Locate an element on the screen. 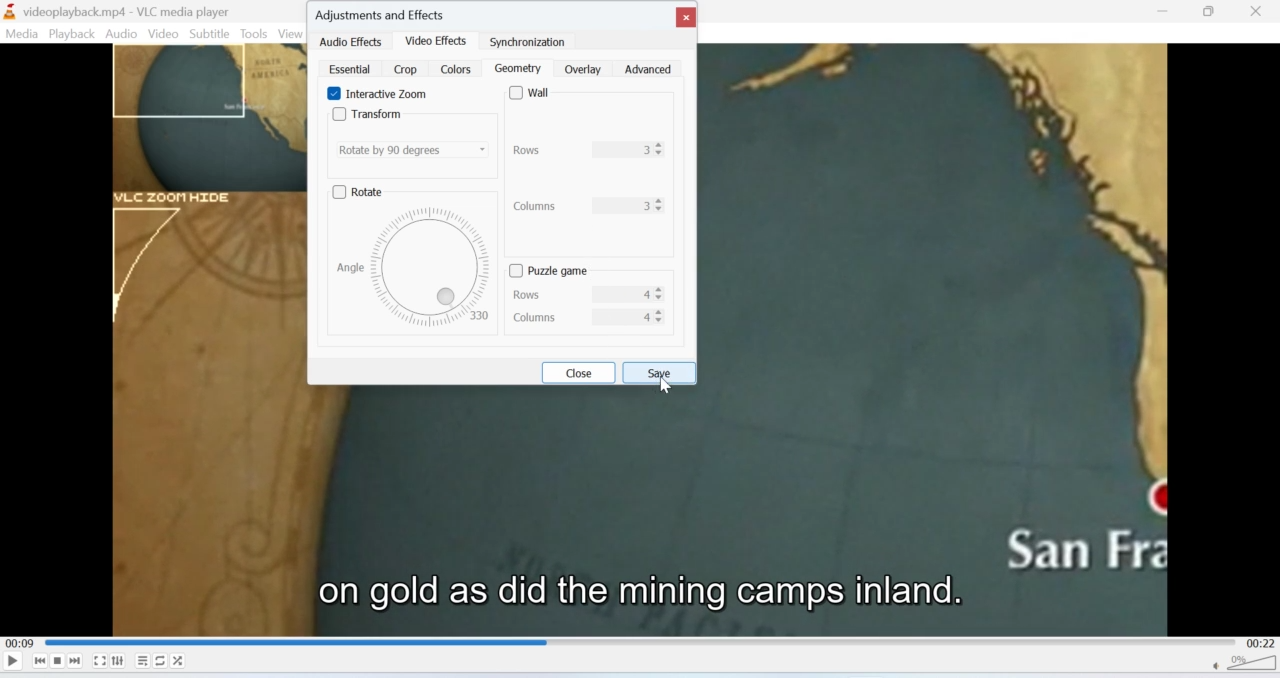  Playbar is located at coordinates (642, 642).